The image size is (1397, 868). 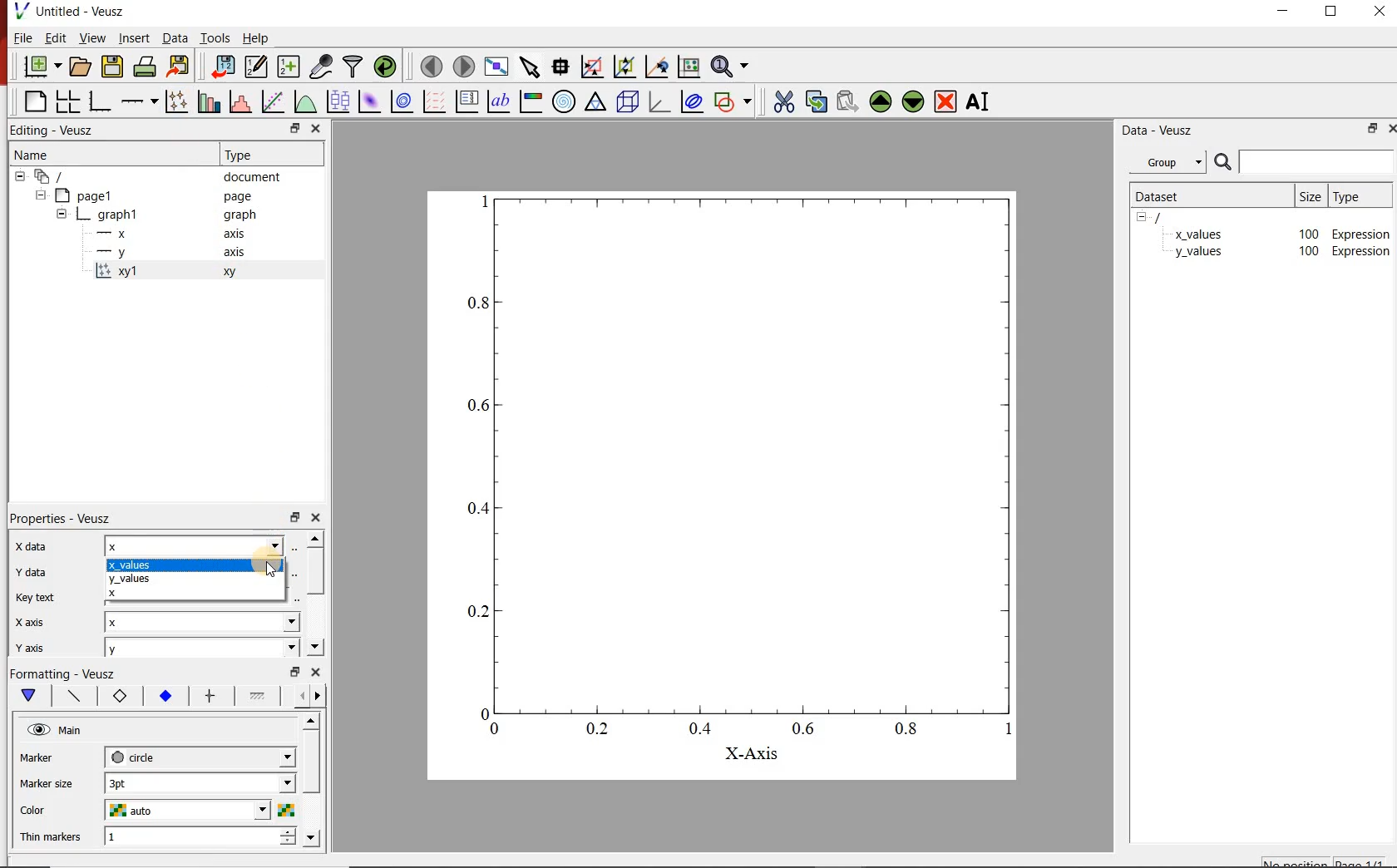 What do you see at coordinates (299, 697) in the screenshot?
I see `previous options` at bounding box center [299, 697].